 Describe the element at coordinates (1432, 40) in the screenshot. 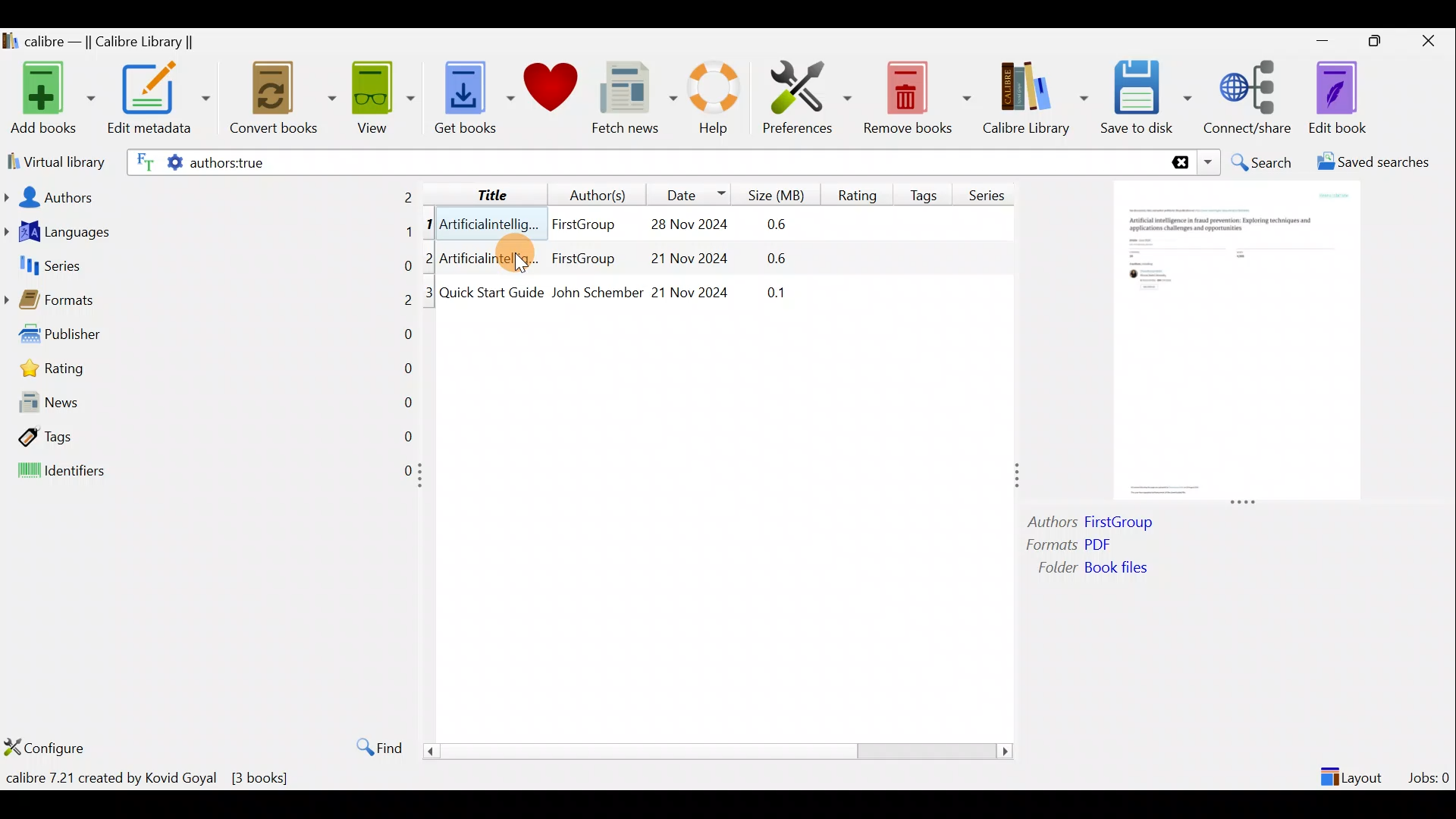

I see `Close` at that location.